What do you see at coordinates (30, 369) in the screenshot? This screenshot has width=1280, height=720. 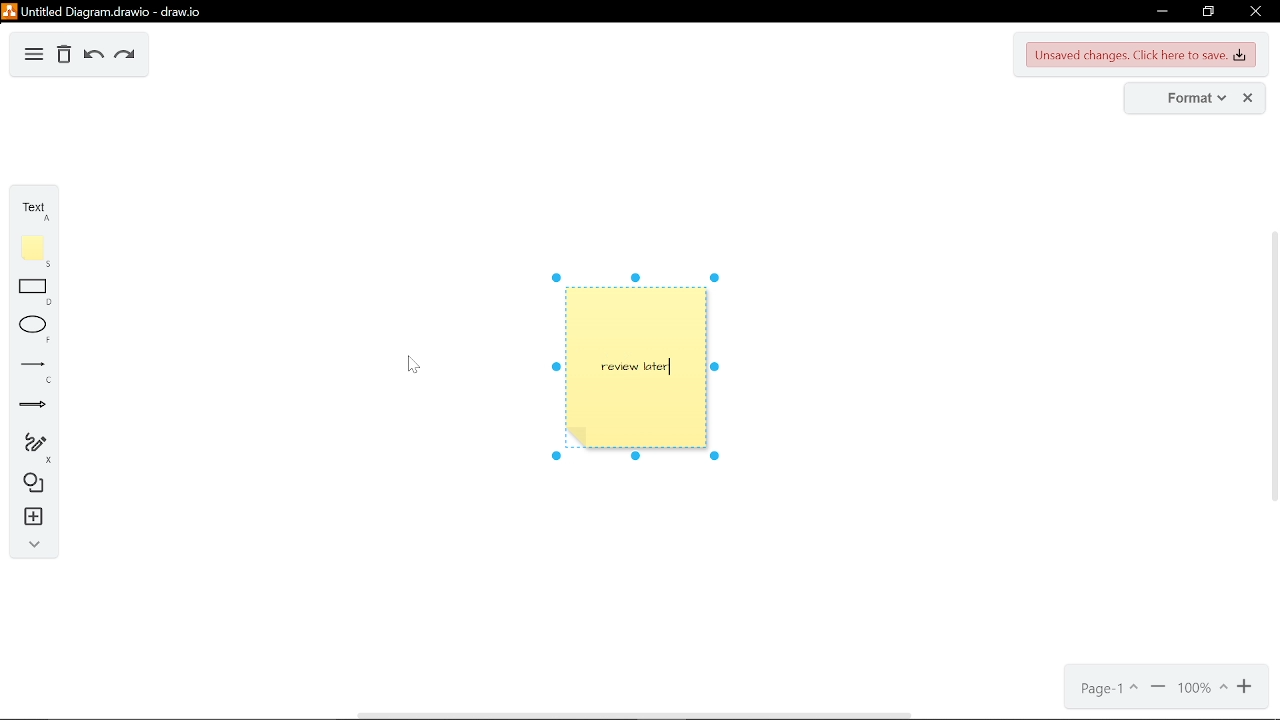 I see `lines` at bounding box center [30, 369].